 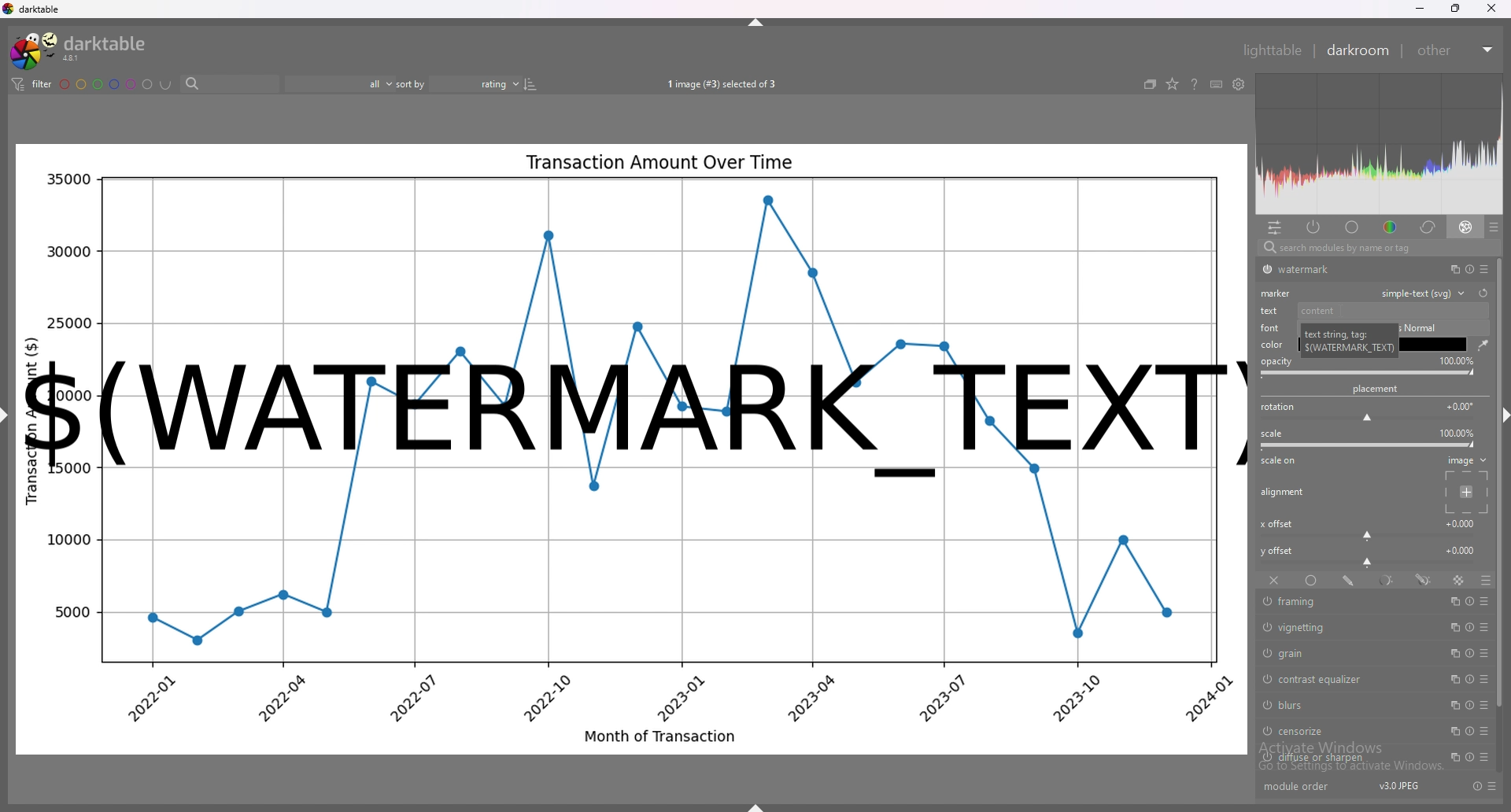 I want to click on black, so click(x=1435, y=345).